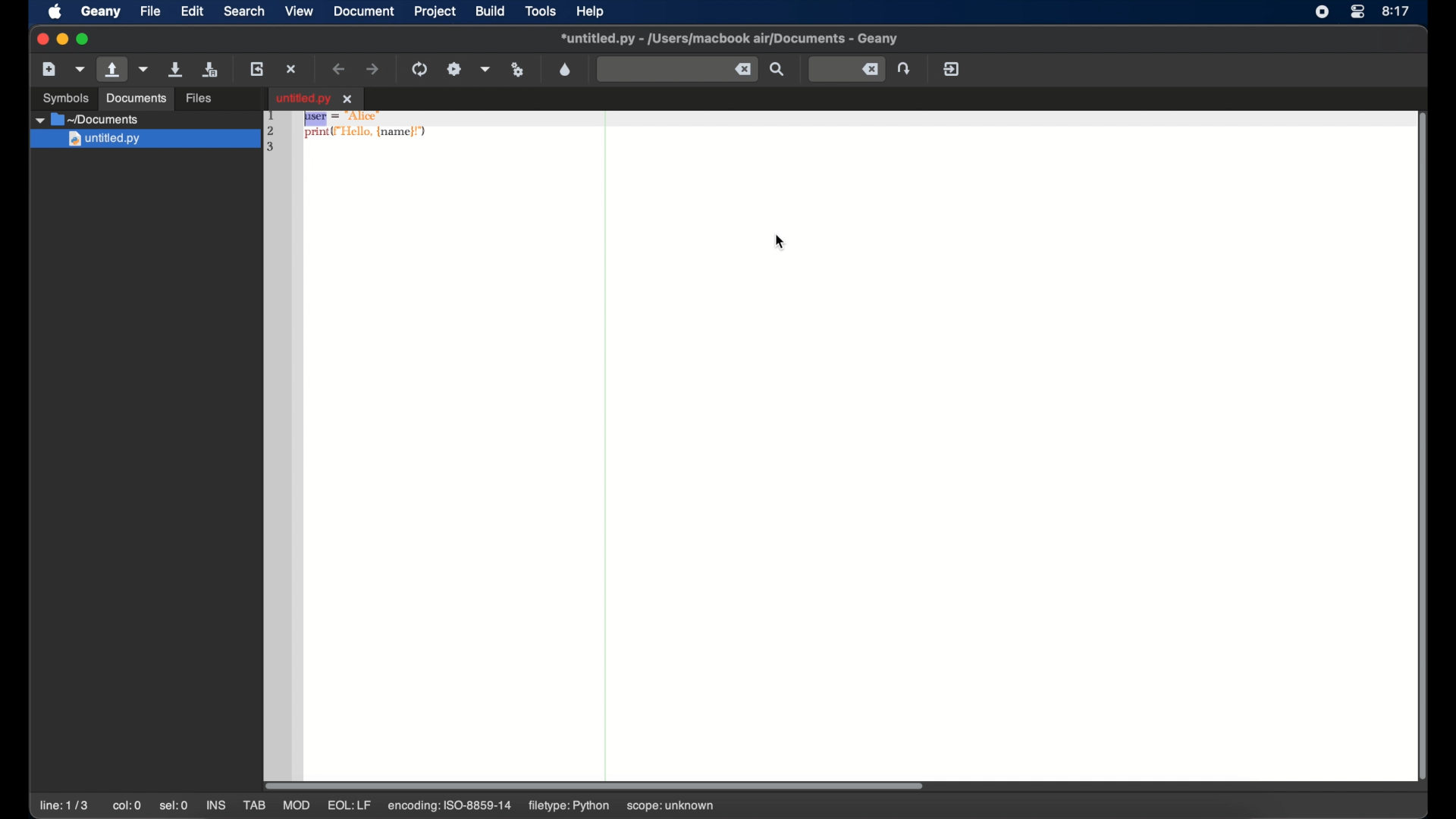 The width and height of the screenshot is (1456, 819). What do you see at coordinates (244, 11) in the screenshot?
I see `search` at bounding box center [244, 11].